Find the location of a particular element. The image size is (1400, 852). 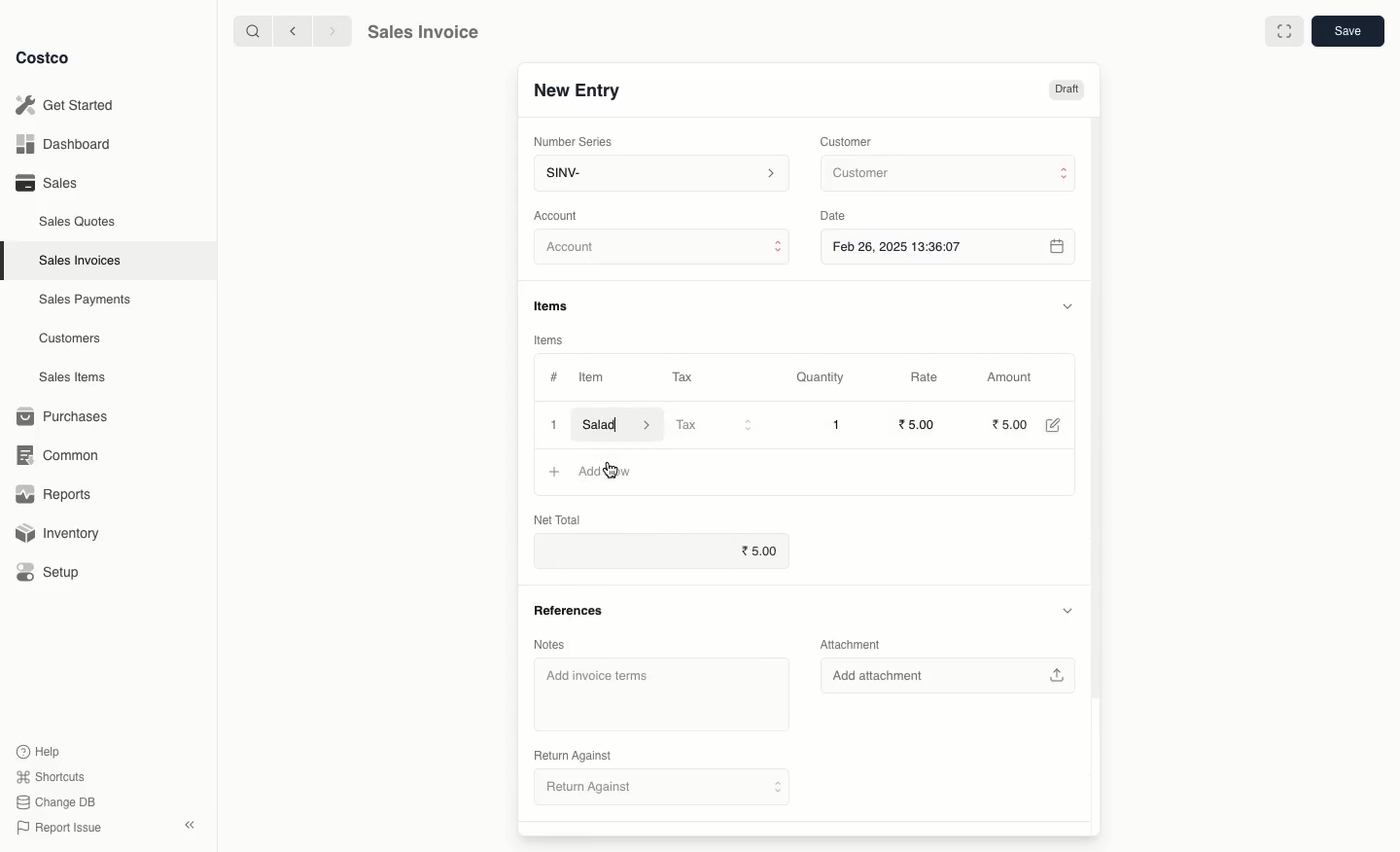

Add row is located at coordinates (609, 470).